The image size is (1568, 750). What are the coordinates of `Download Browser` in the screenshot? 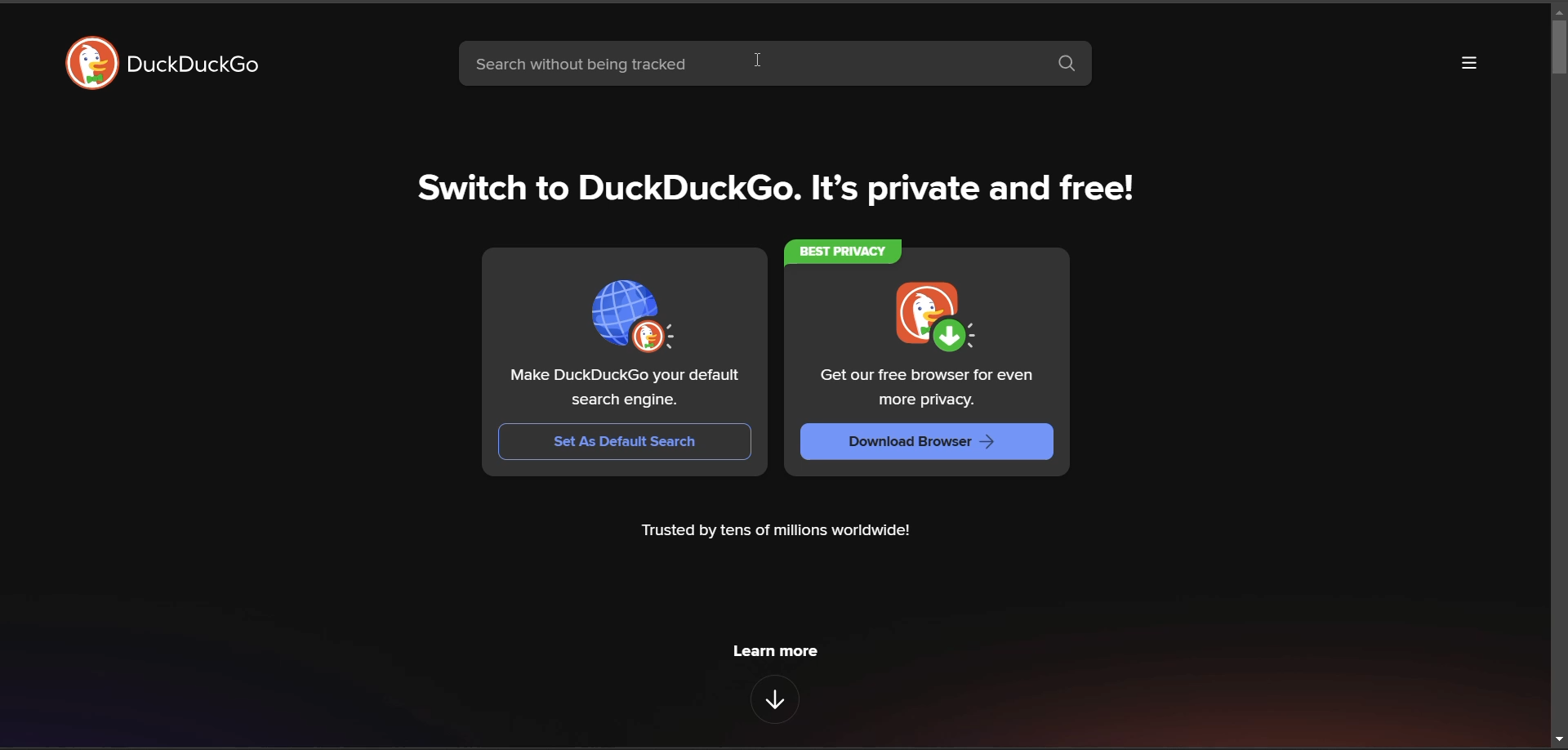 It's located at (927, 443).